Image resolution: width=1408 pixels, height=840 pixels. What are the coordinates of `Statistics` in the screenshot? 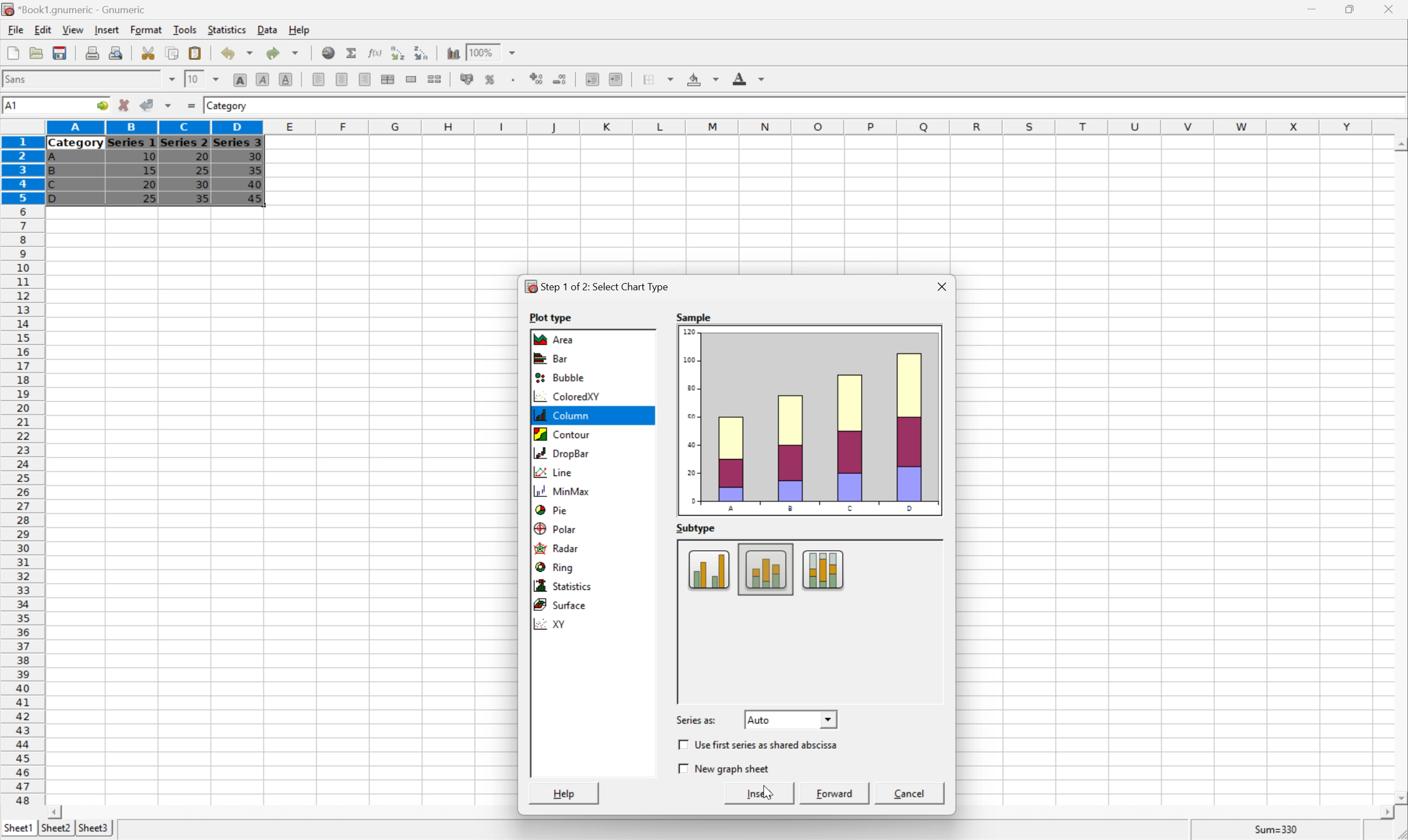 It's located at (228, 30).